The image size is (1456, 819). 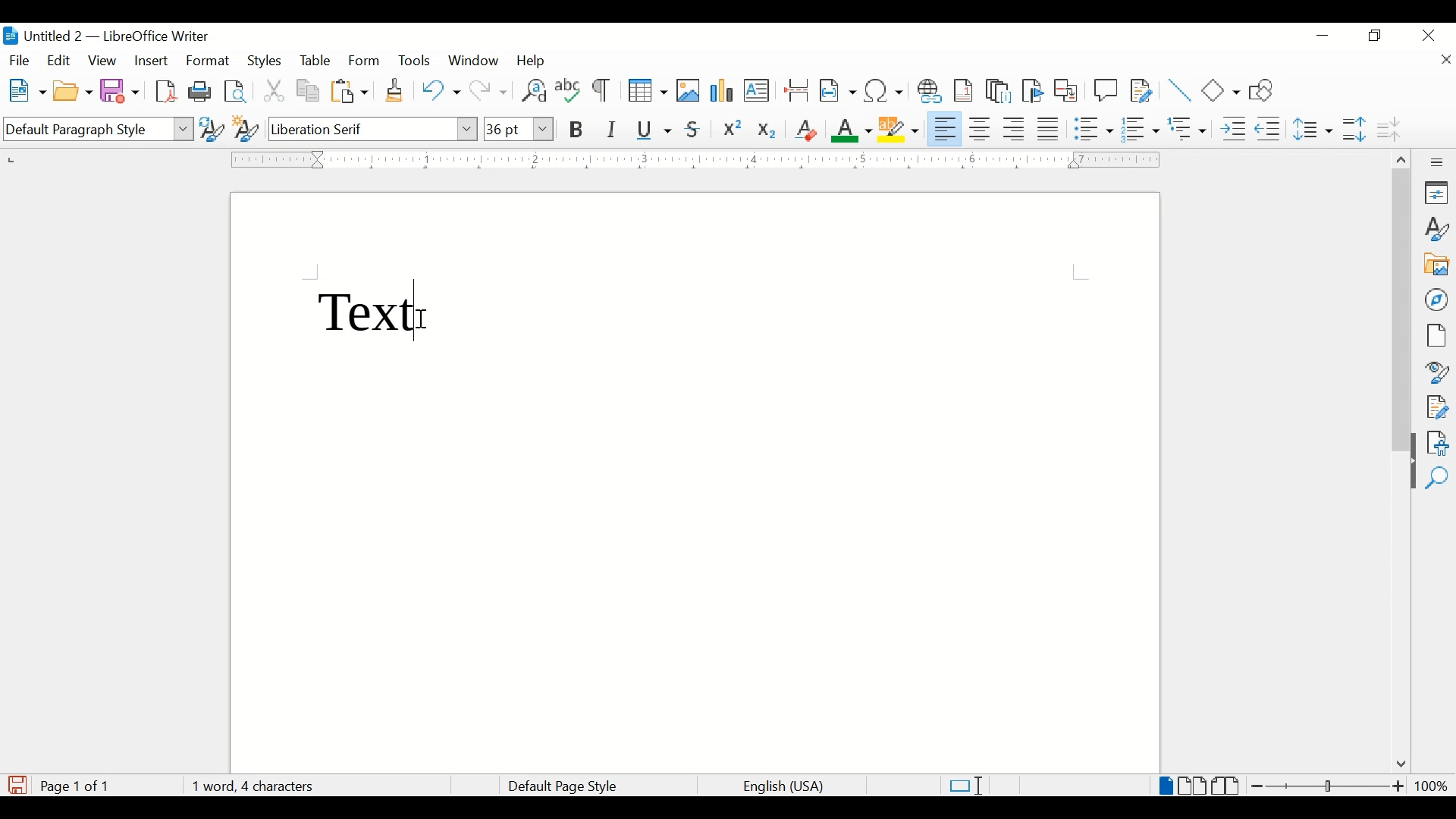 I want to click on insert special characters, so click(x=884, y=89).